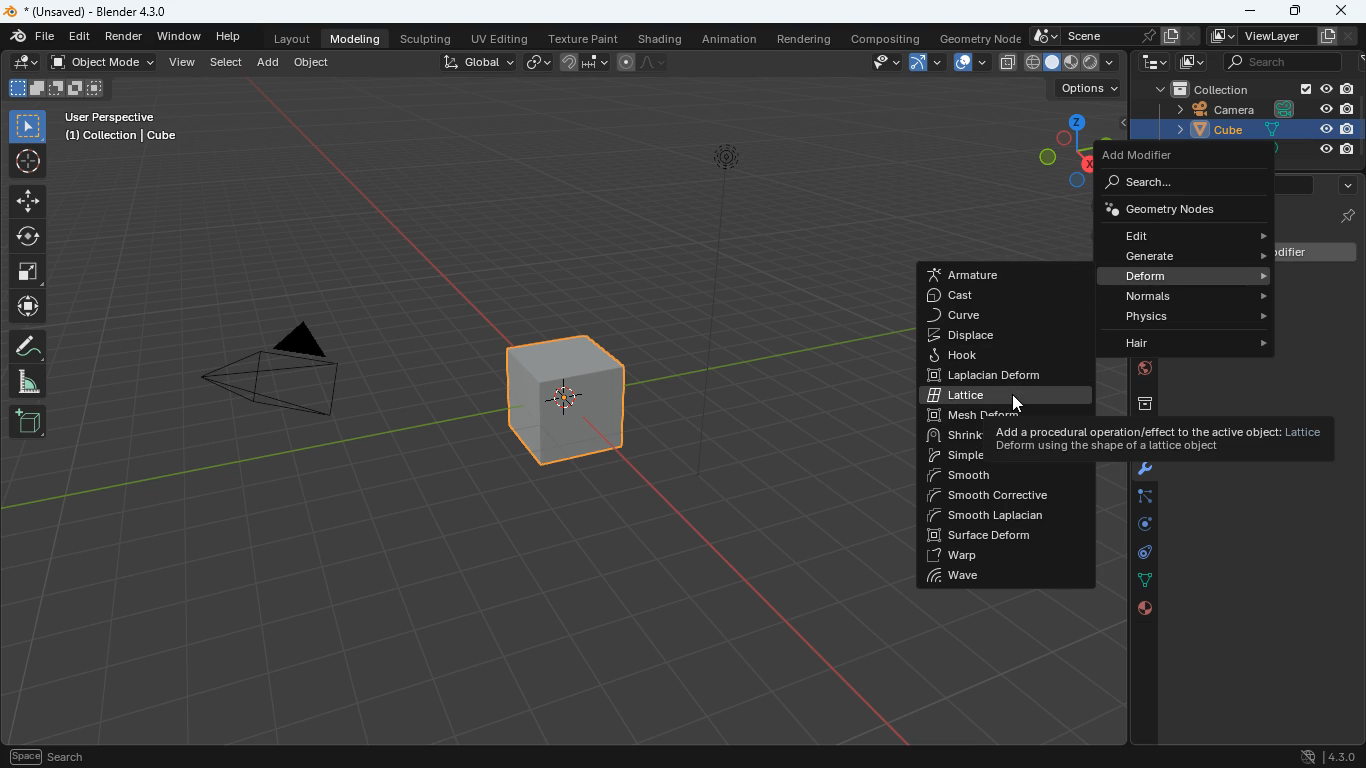 The height and width of the screenshot is (768, 1366). I want to click on animation, so click(728, 38).